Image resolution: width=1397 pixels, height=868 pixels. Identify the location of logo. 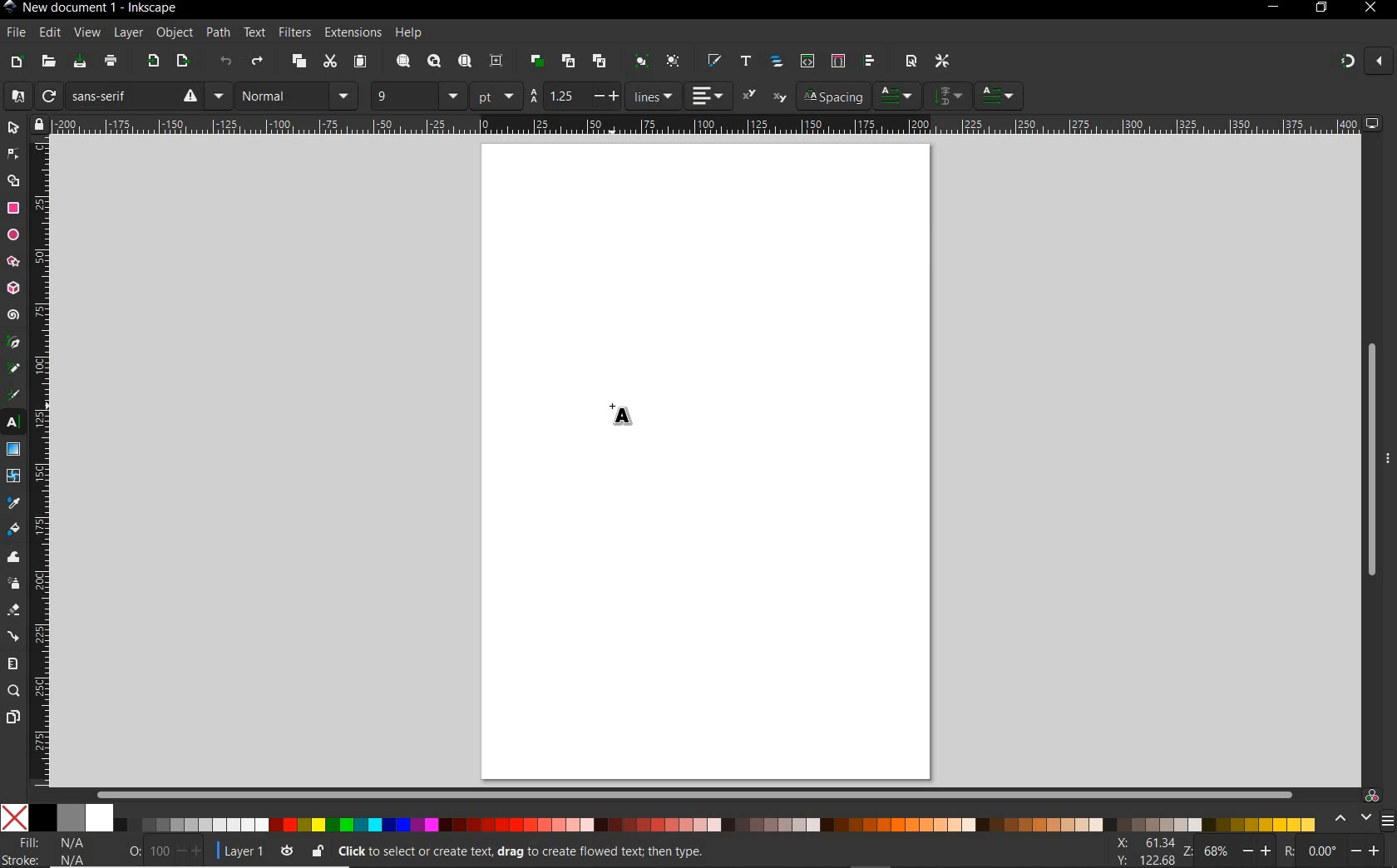
(9, 7).